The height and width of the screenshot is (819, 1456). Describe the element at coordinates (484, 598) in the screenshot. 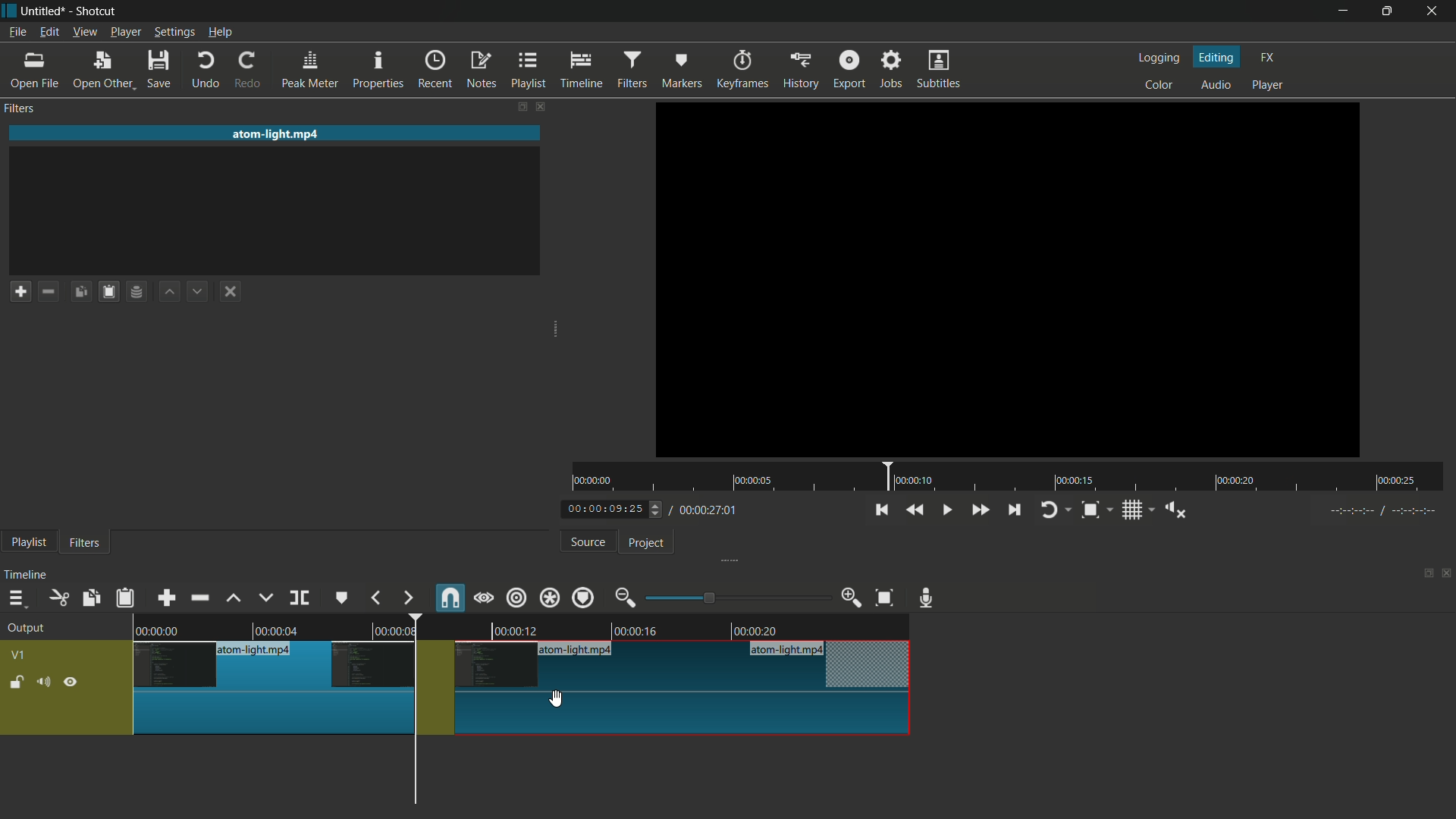

I see `scrub while dragging` at that location.